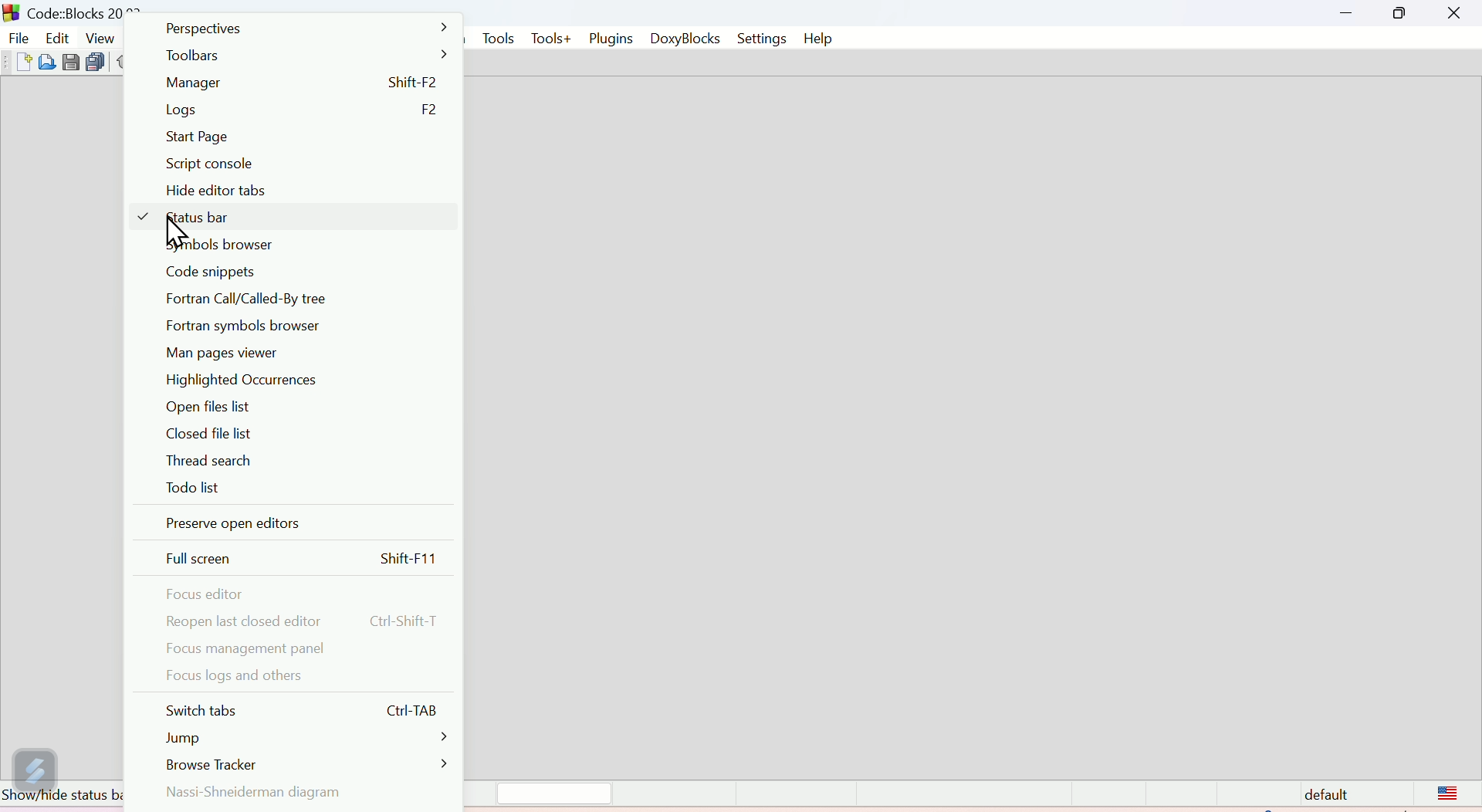 The image size is (1482, 812). What do you see at coordinates (551, 39) in the screenshot?
I see `Tools+` at bounding box center [551, 39].